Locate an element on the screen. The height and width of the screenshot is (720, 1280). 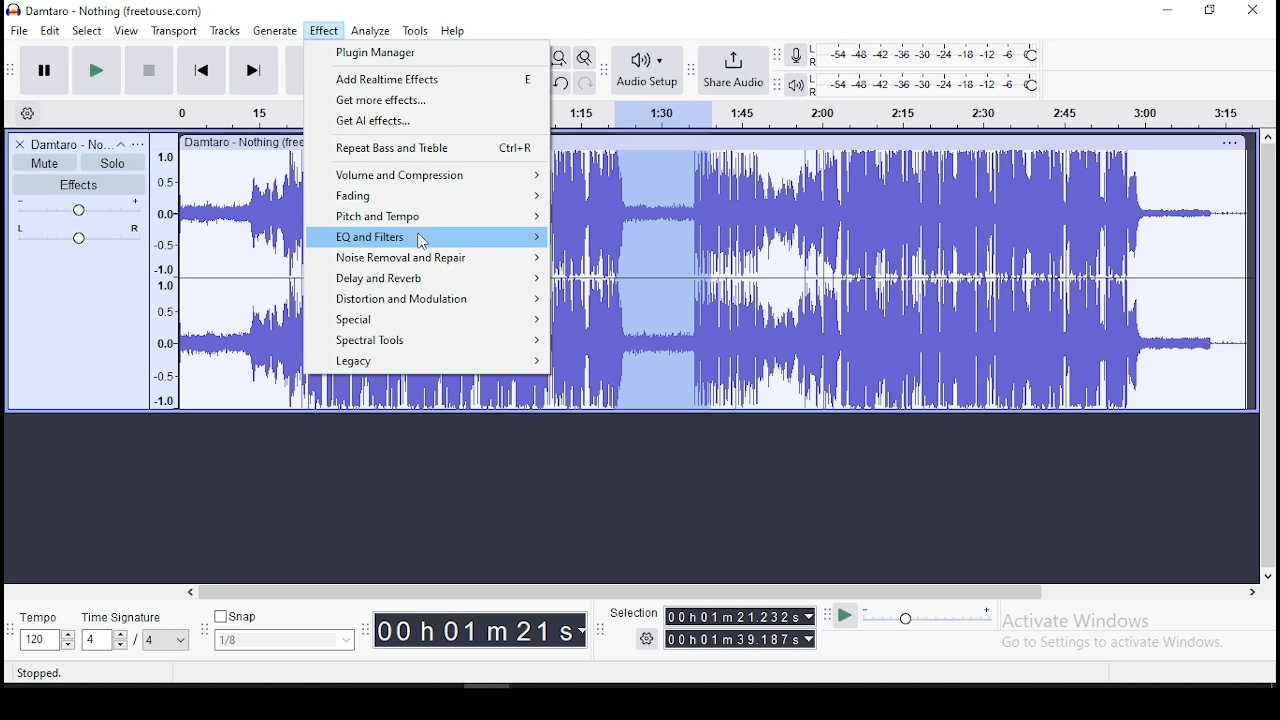
pause is located at coordinates (46, 71).